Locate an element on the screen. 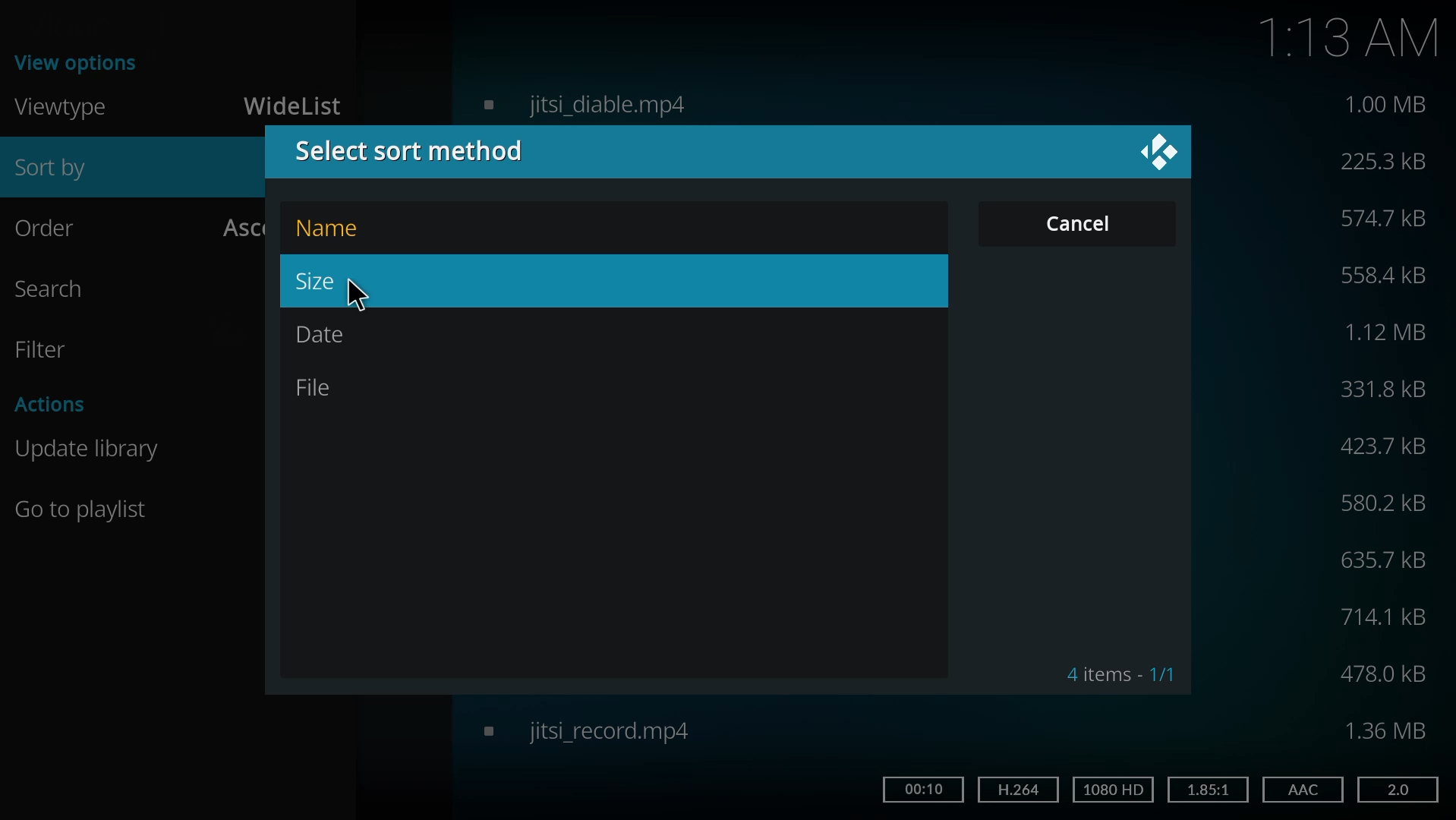 The height and width of the screenshot is (820, 1456). video is located at coordinates (585, 736).